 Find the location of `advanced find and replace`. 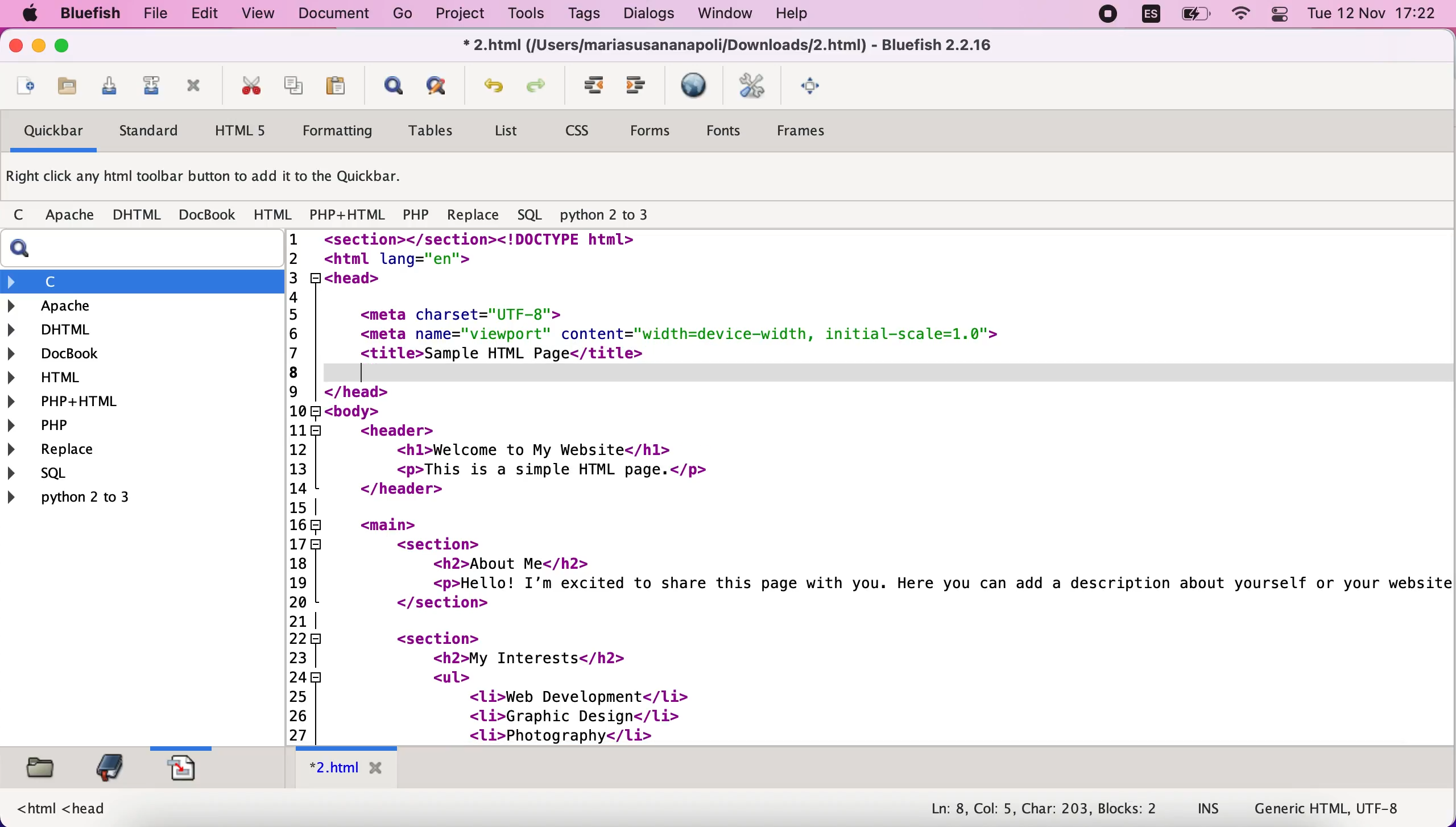

advanced find and replace is located at coordinates (444, 85).